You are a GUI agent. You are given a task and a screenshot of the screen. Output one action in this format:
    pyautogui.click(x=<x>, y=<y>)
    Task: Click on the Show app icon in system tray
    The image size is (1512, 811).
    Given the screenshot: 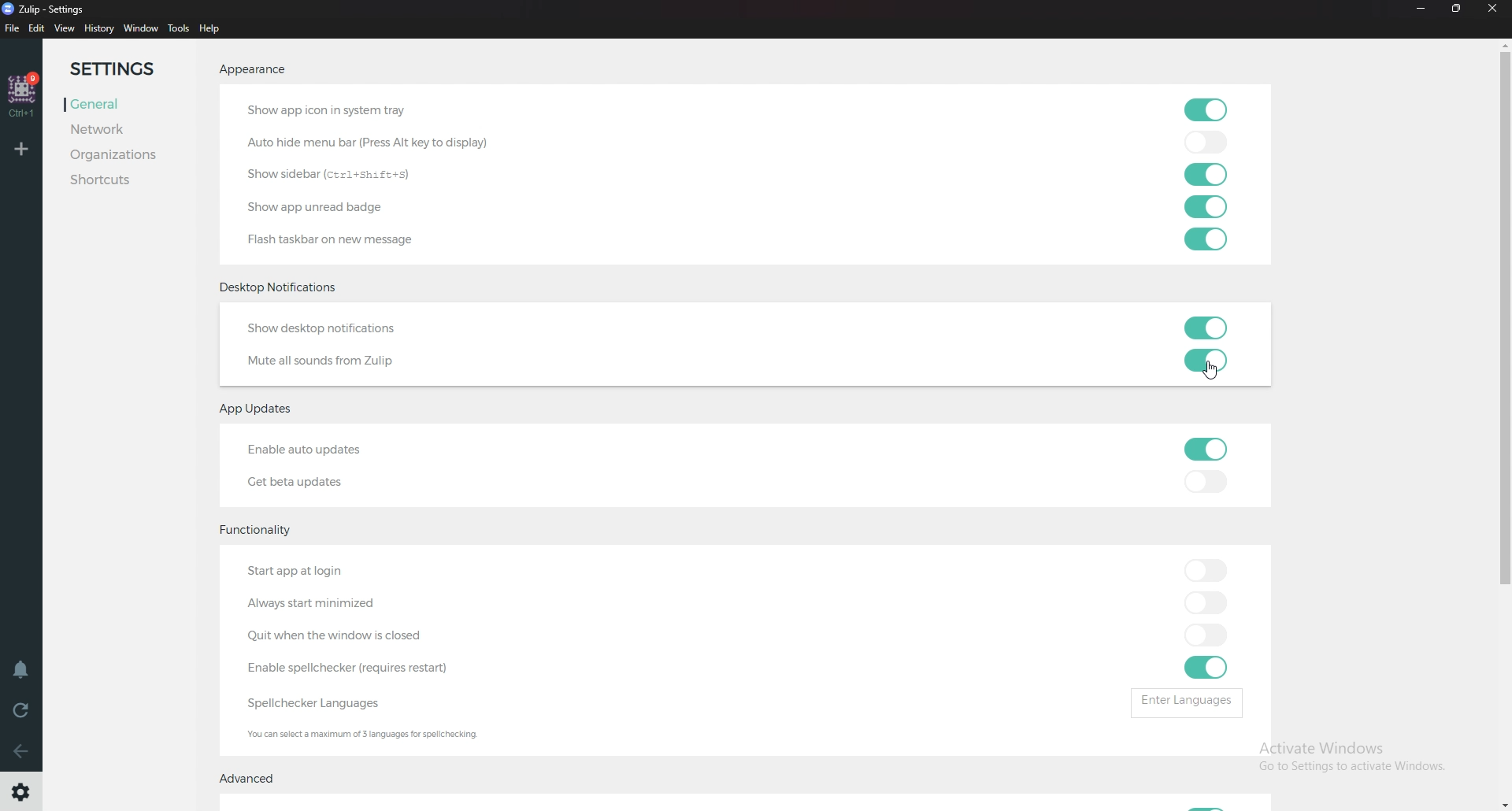 What is the action you would take?
    pyautogui.click(x=365, y=107)
    